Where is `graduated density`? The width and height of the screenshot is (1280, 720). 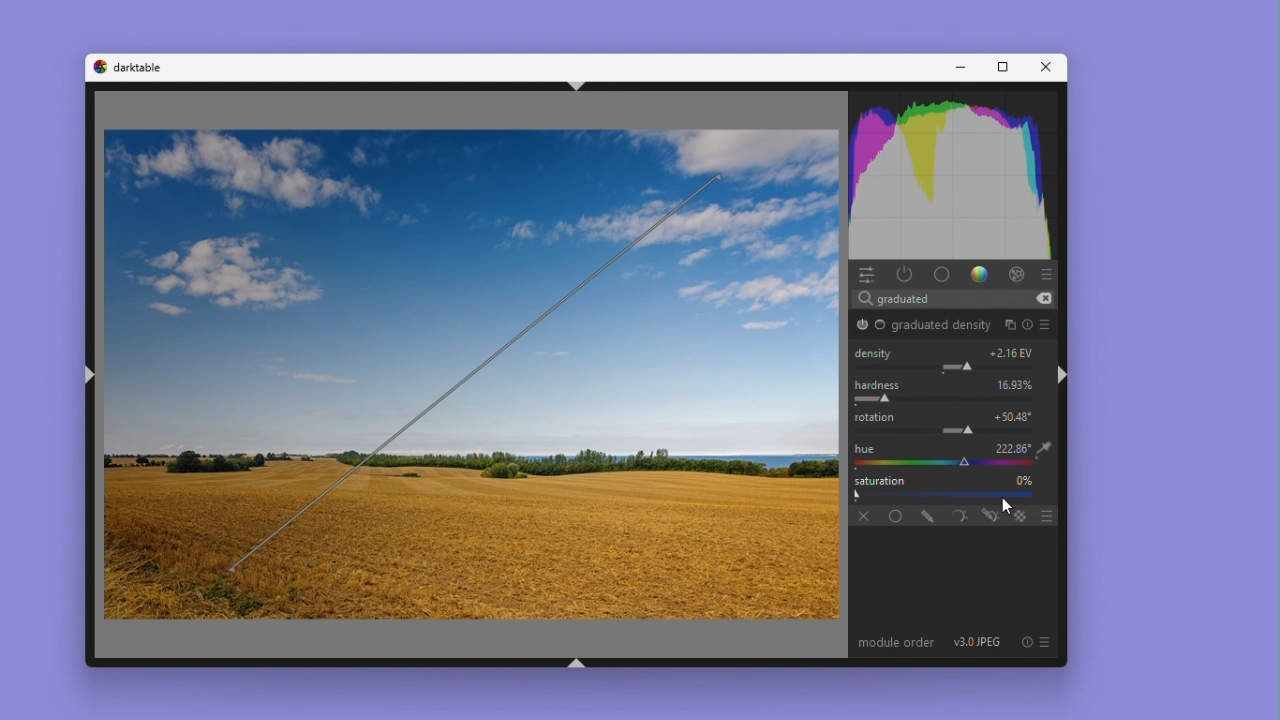 graduated density is located at coordinates (862, 324).